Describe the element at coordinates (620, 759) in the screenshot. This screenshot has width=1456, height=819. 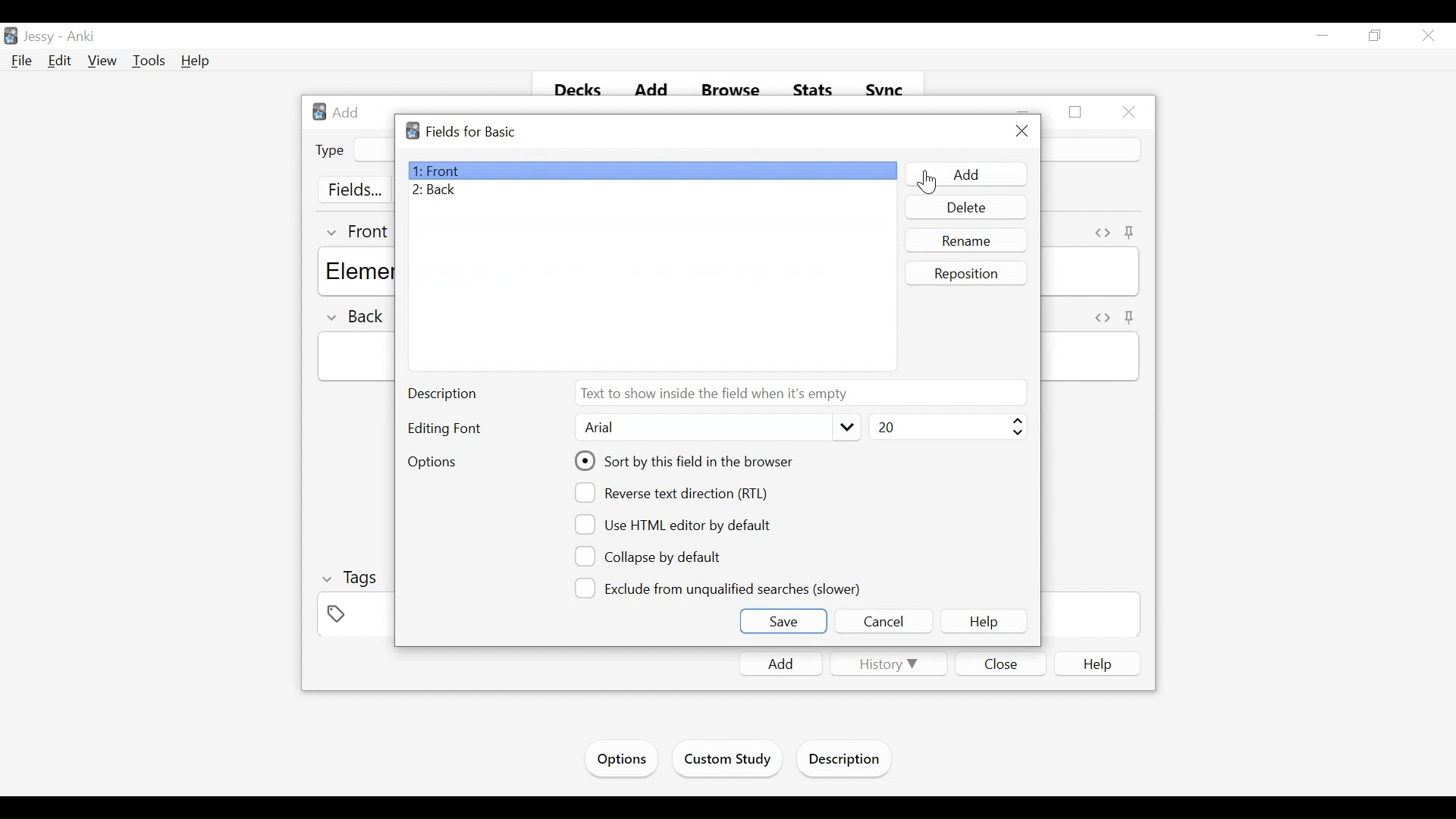
I see `Options` at that location.